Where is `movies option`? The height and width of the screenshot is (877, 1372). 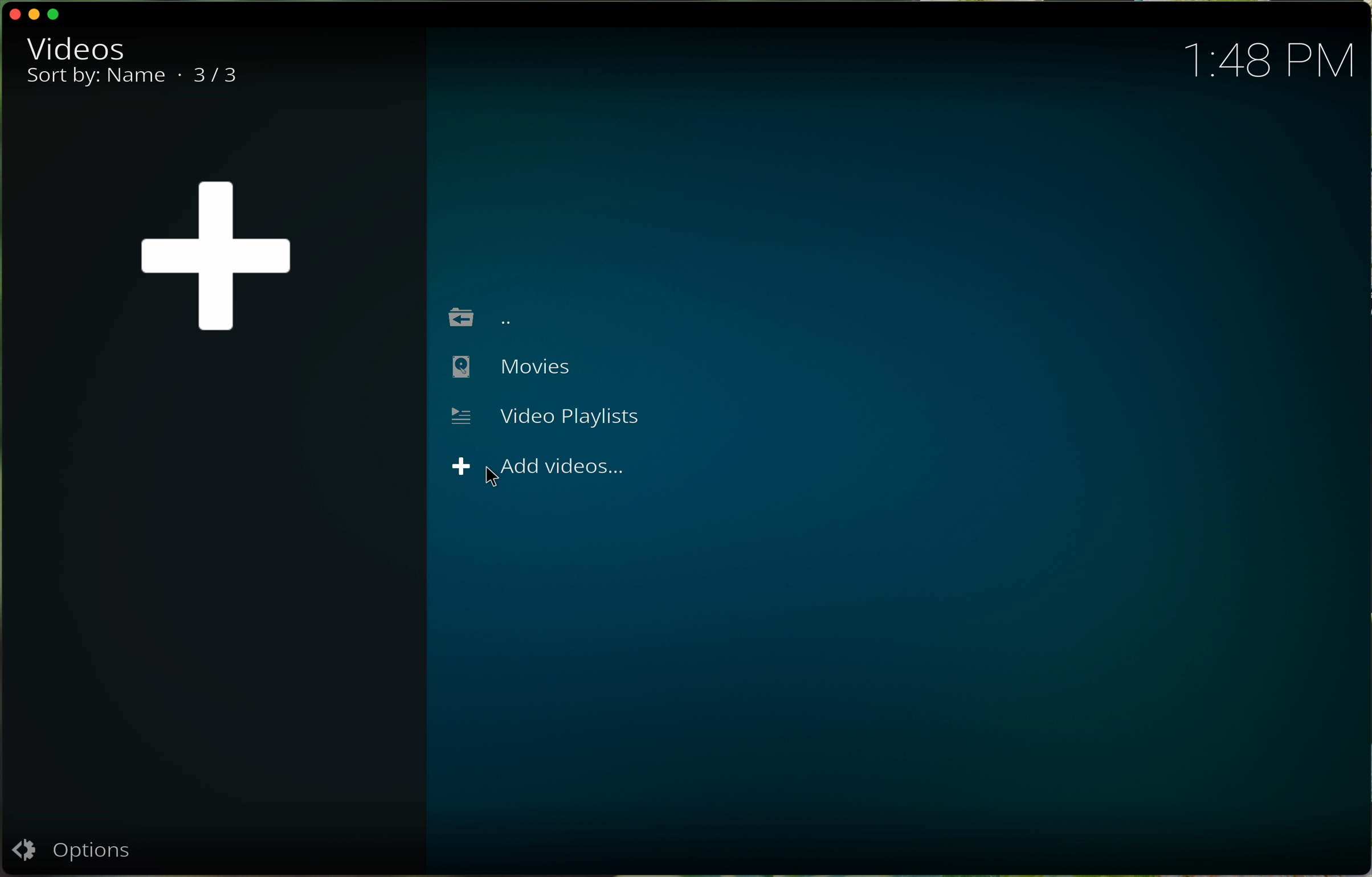 movies option is located at coordinates (508, 370).